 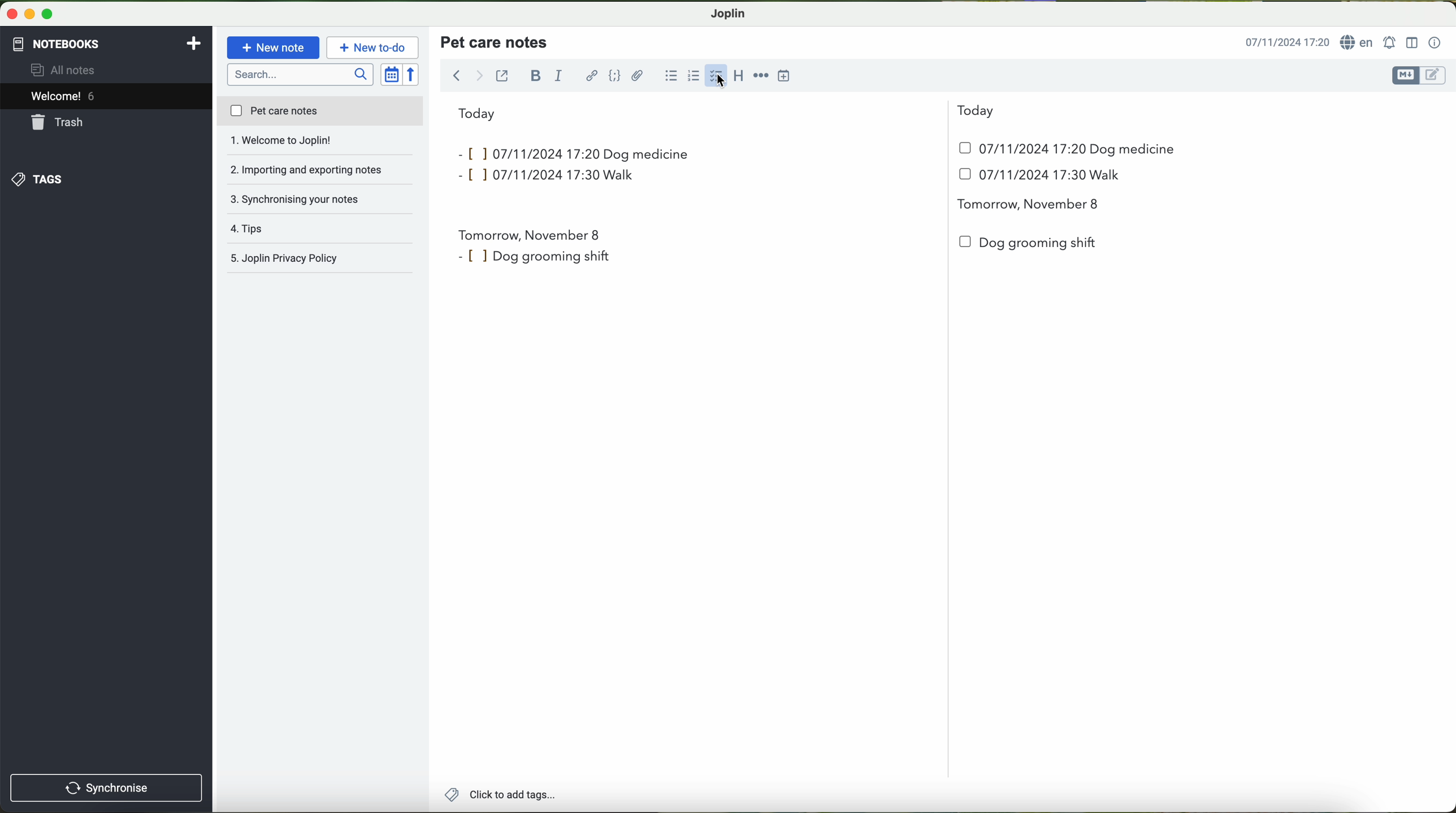 What do you see at coordinates (320, 144) in the screenshot?
I see `importing and exporting notes` at bounding box center [320, 144].